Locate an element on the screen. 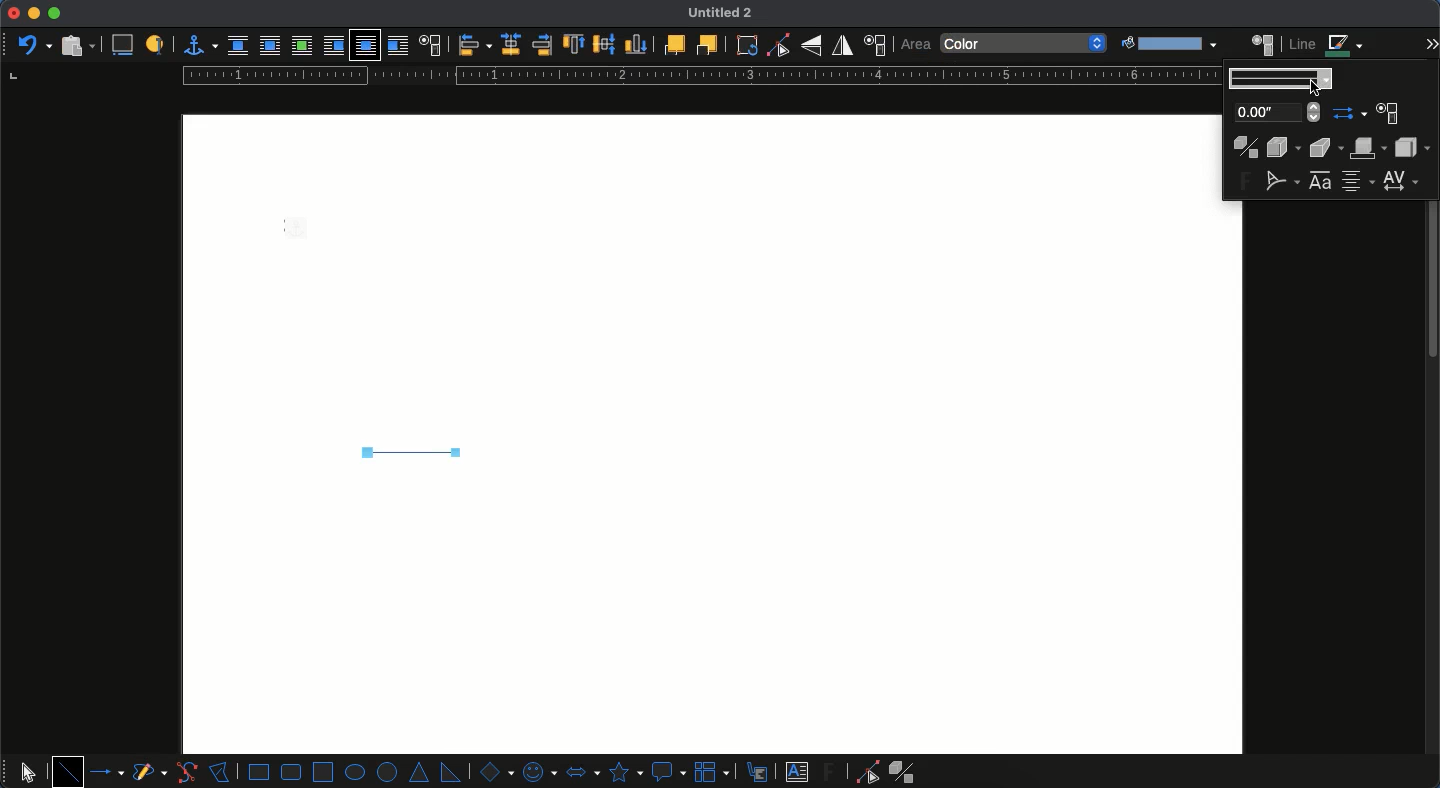  footwork alignment is located at coordinates (1359, 182).